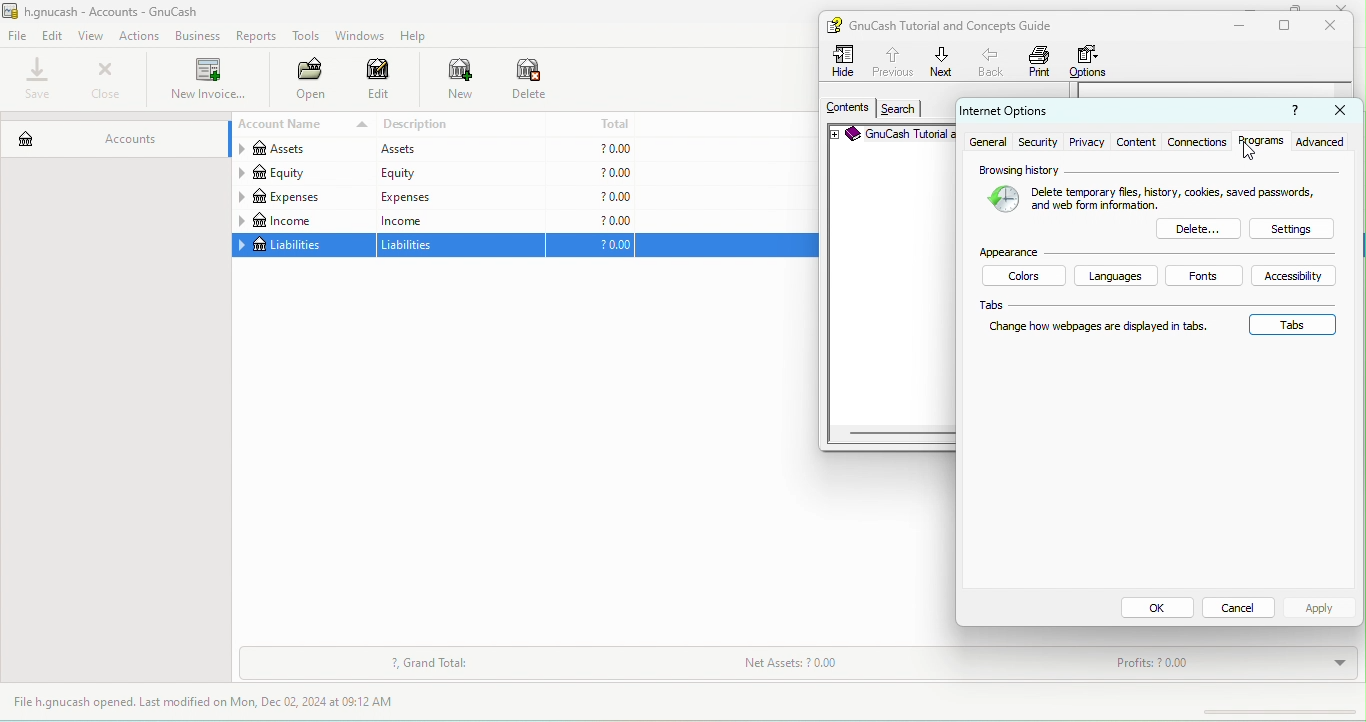 This screenshot has height=722, width=1366. What do you see at coordinates (1093, 61) in the screenshot?
I see `options` at bounding box center [1093, 61].